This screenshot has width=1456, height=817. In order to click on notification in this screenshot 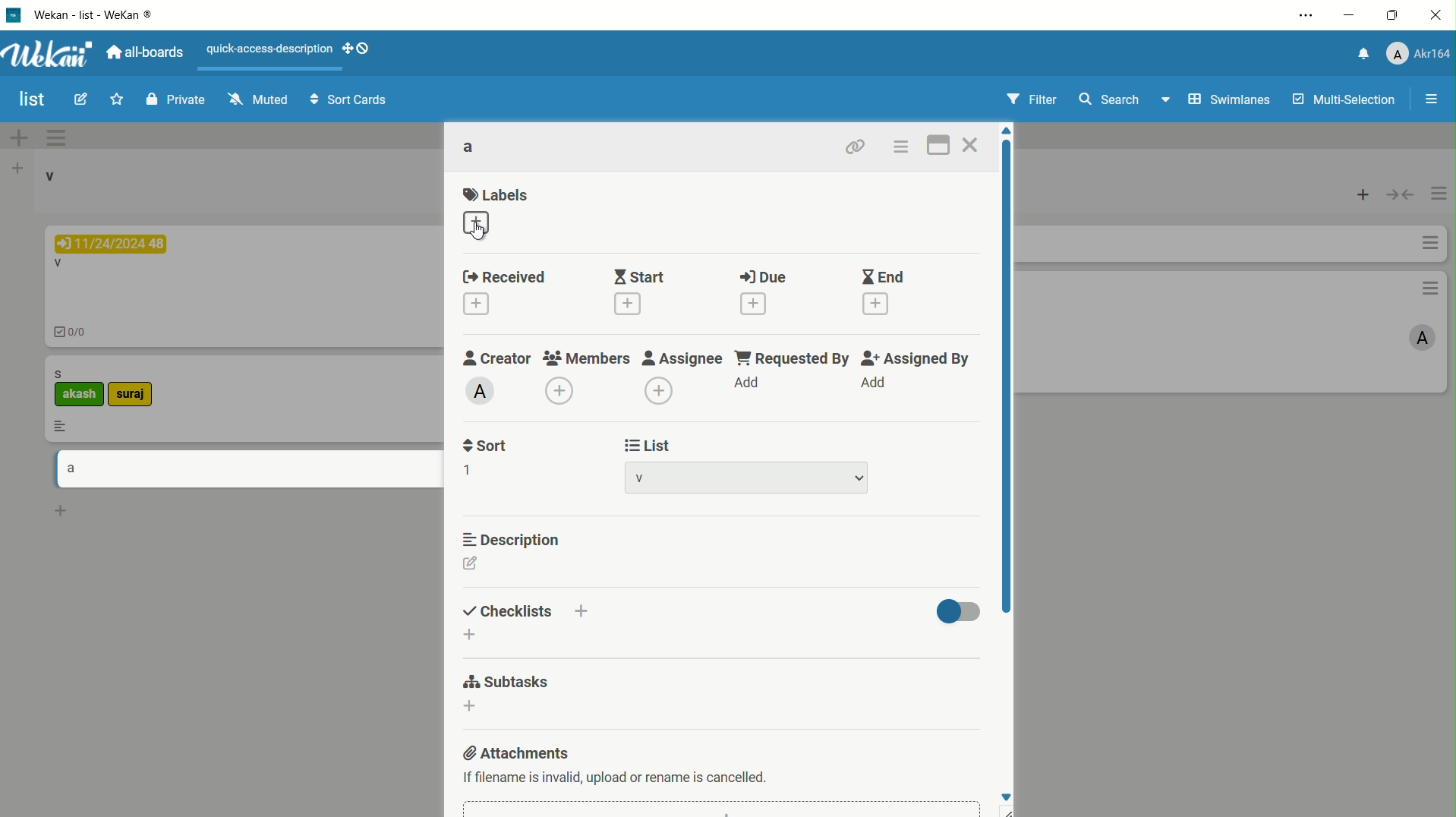, I will do `click(1361, 54)`.